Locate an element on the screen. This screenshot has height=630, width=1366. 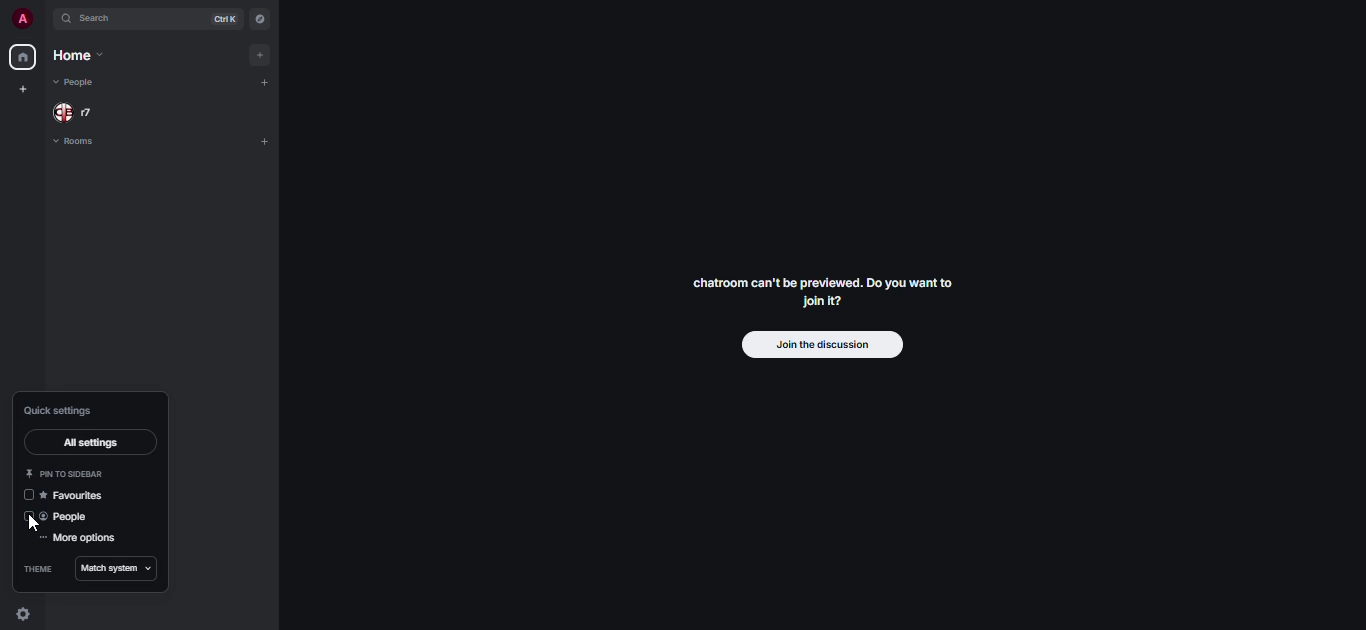
chatroom can't be previewed. Join it? is located at coordinates (819, 291).